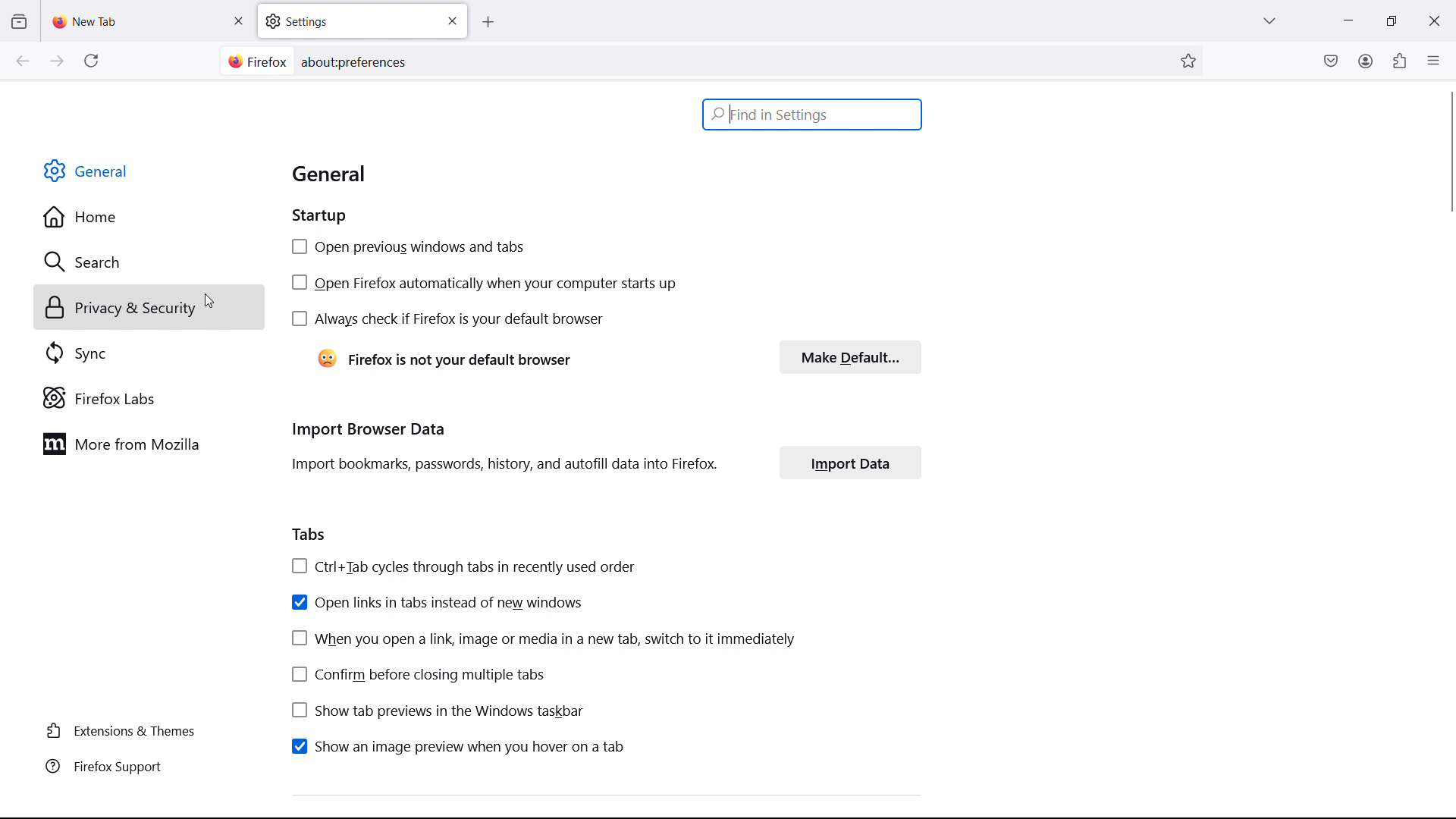  Describe the element at coordinates (334, 174) in the screenshot. I see `general` at that location.